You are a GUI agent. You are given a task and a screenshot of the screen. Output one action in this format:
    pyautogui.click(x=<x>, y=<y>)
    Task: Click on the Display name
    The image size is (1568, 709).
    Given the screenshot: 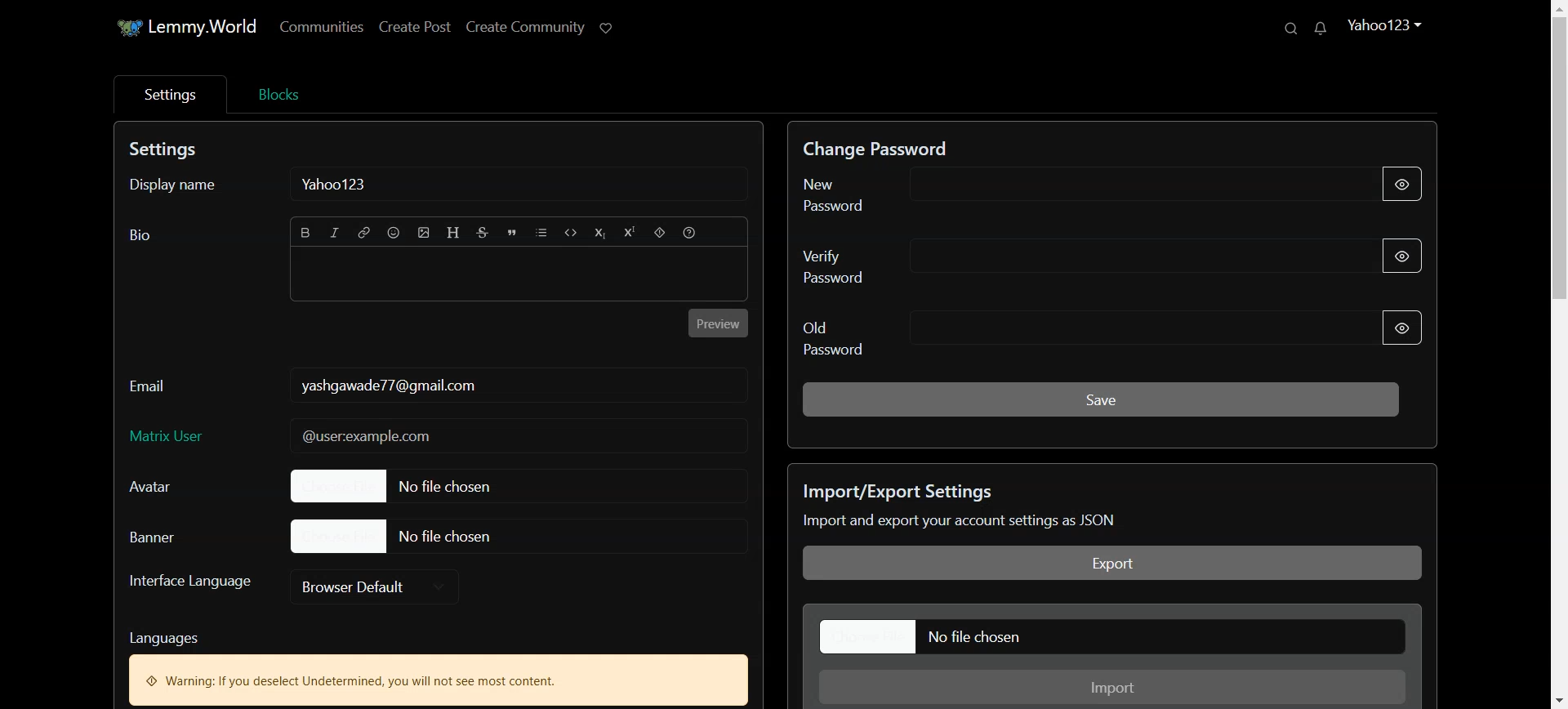 What is the action you would take?
    pyautogui.click(x=188, y=192)
    